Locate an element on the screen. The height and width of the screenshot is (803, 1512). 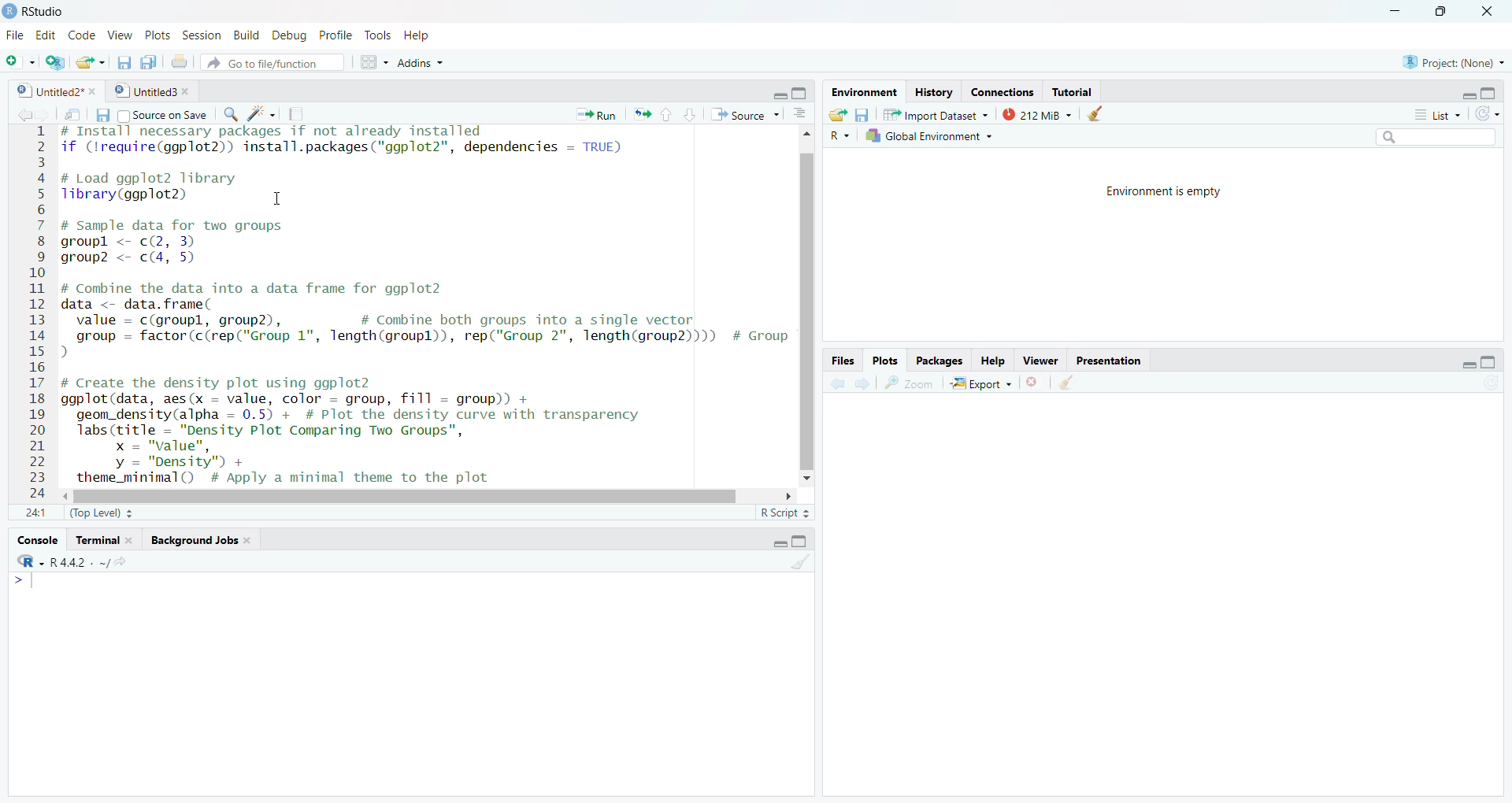
tools is located at coordinates (377, 36).